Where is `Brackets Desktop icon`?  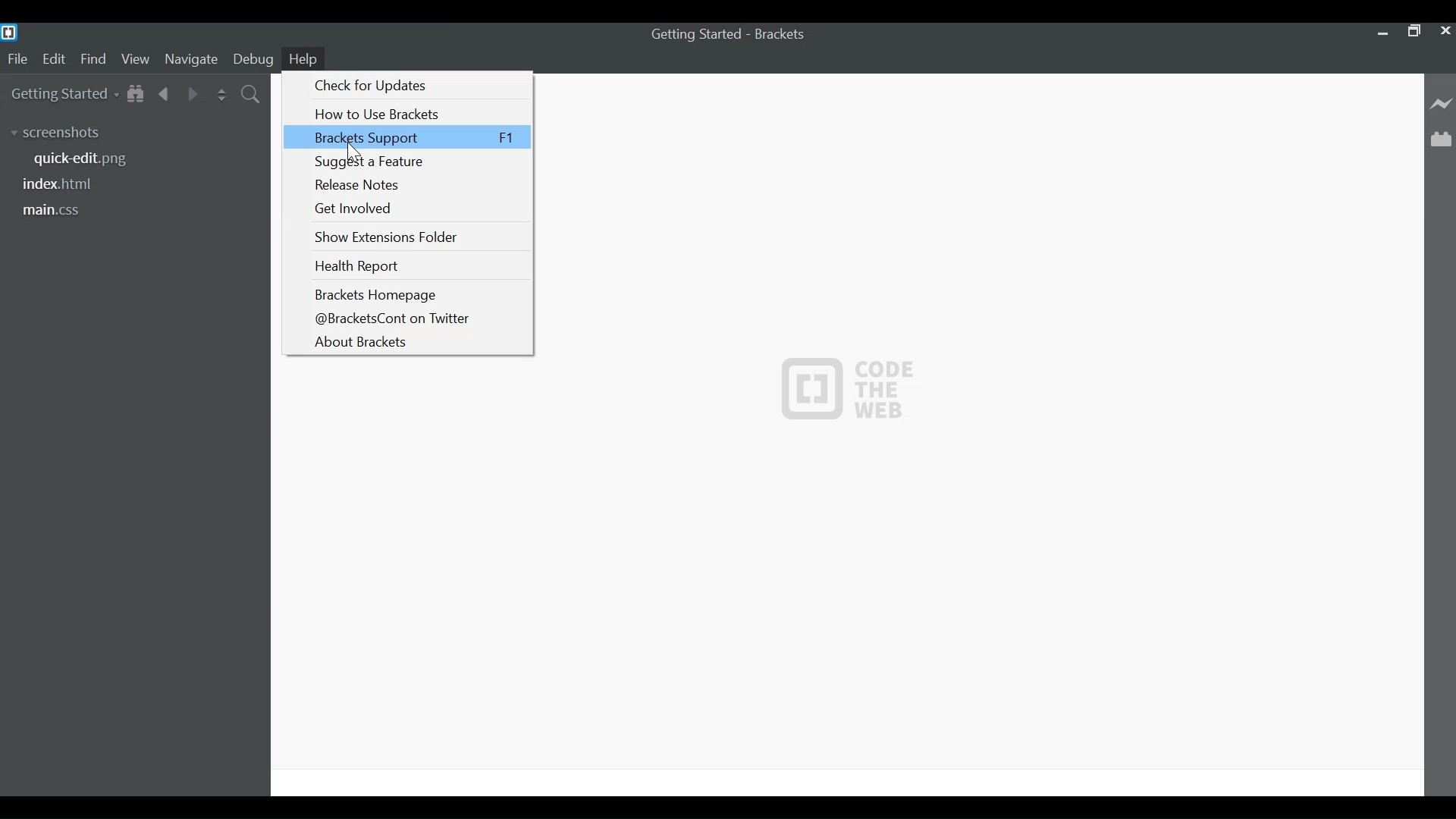
Brackets Desktop icon is located at coordinates (11, 32).